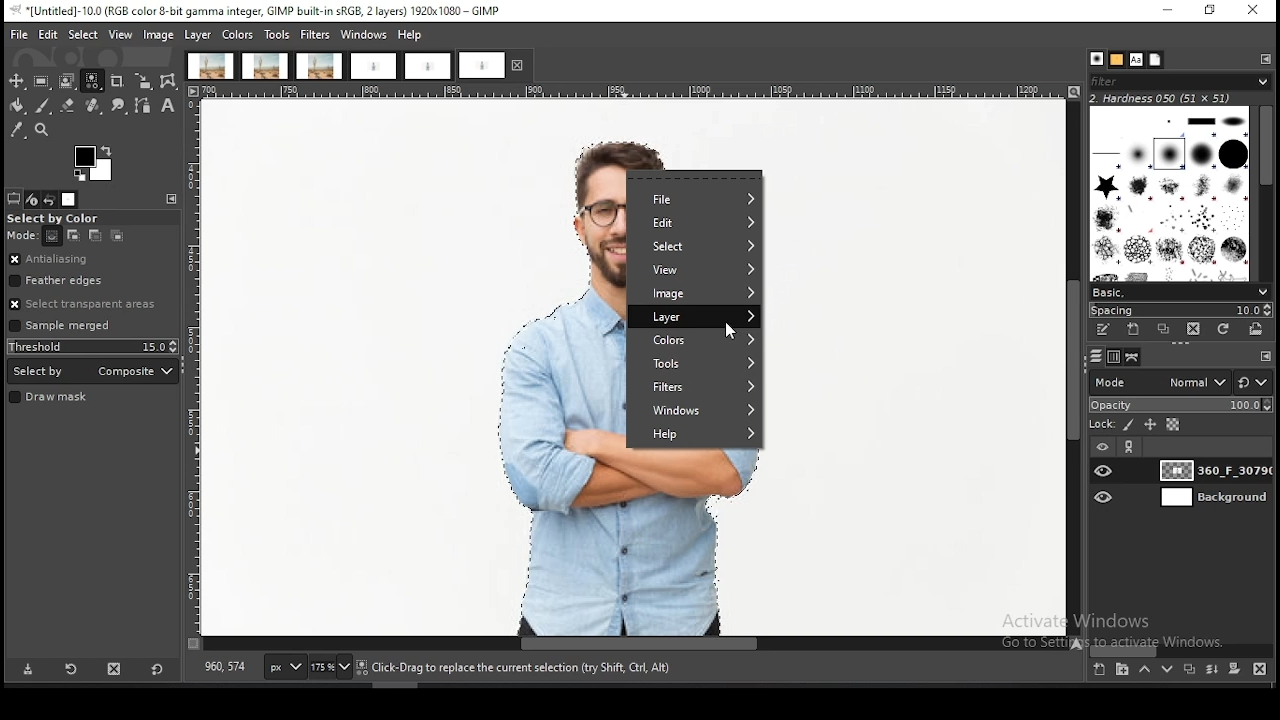 Image resolution: width=1280 pixels, height=720 pixels. I want to click on brushes, so click(1096, 59).